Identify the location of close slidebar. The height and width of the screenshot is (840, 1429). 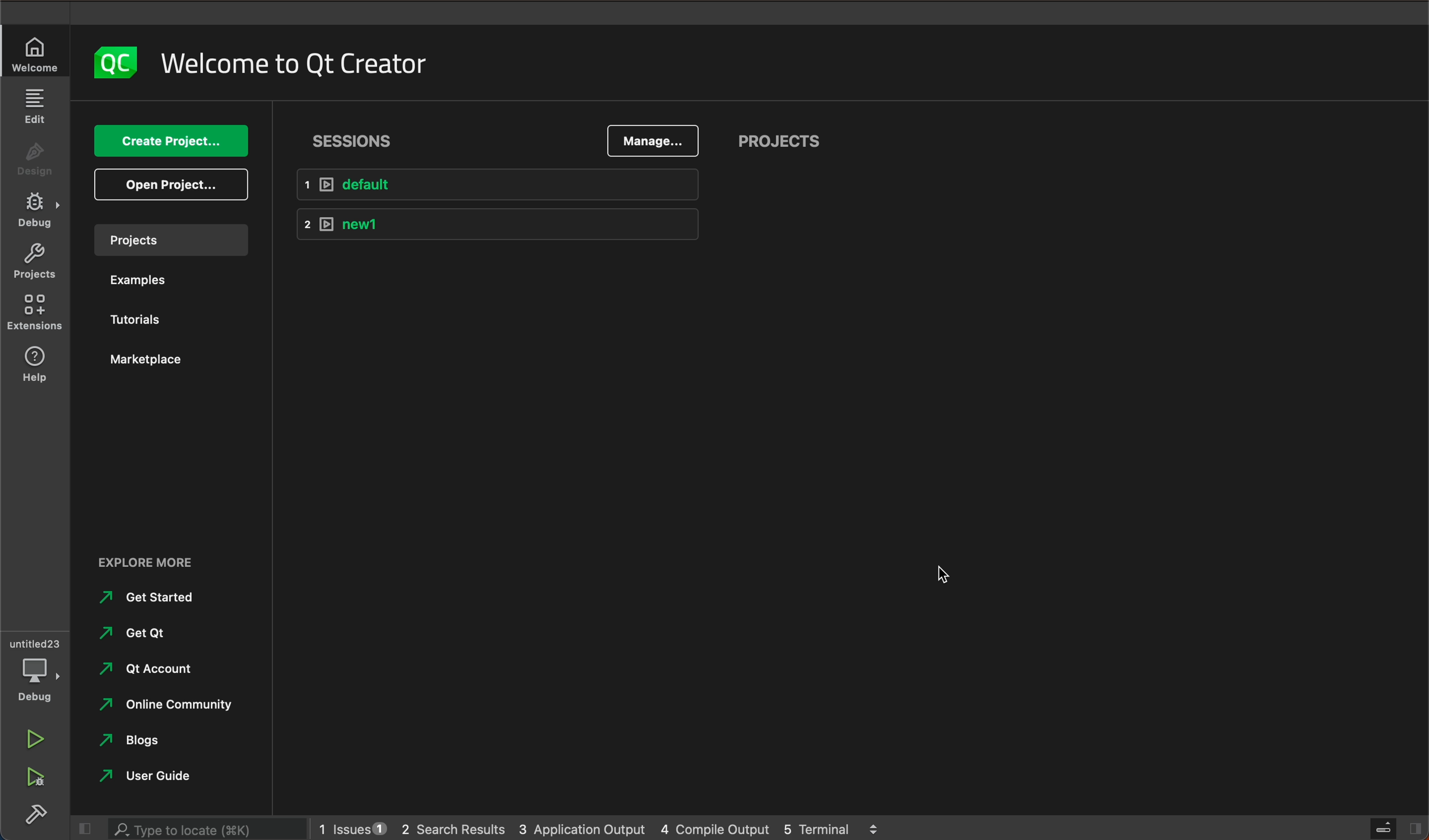
(1394, 827).